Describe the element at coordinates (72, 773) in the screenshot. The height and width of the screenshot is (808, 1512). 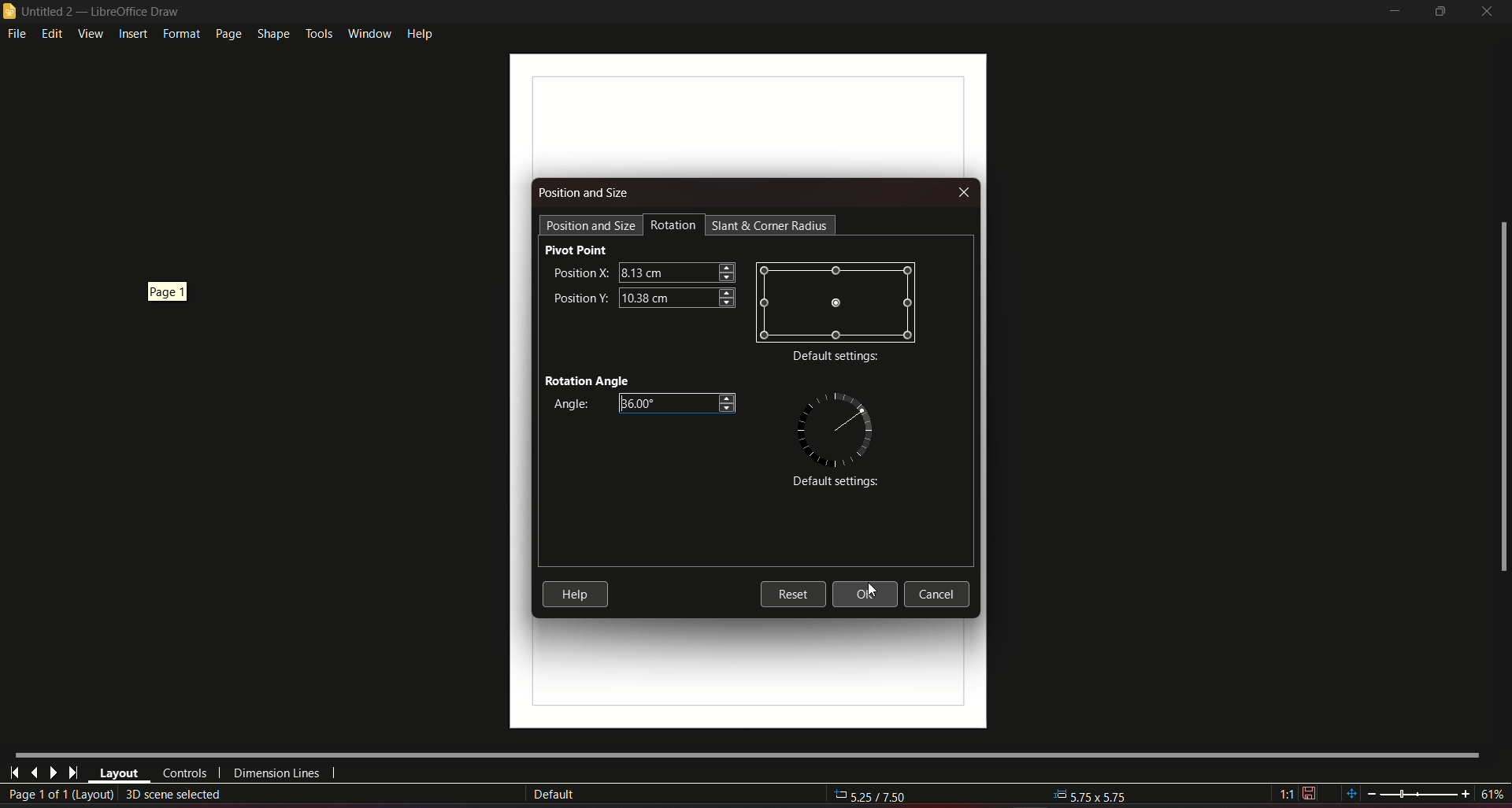
I see `last page` at that location.